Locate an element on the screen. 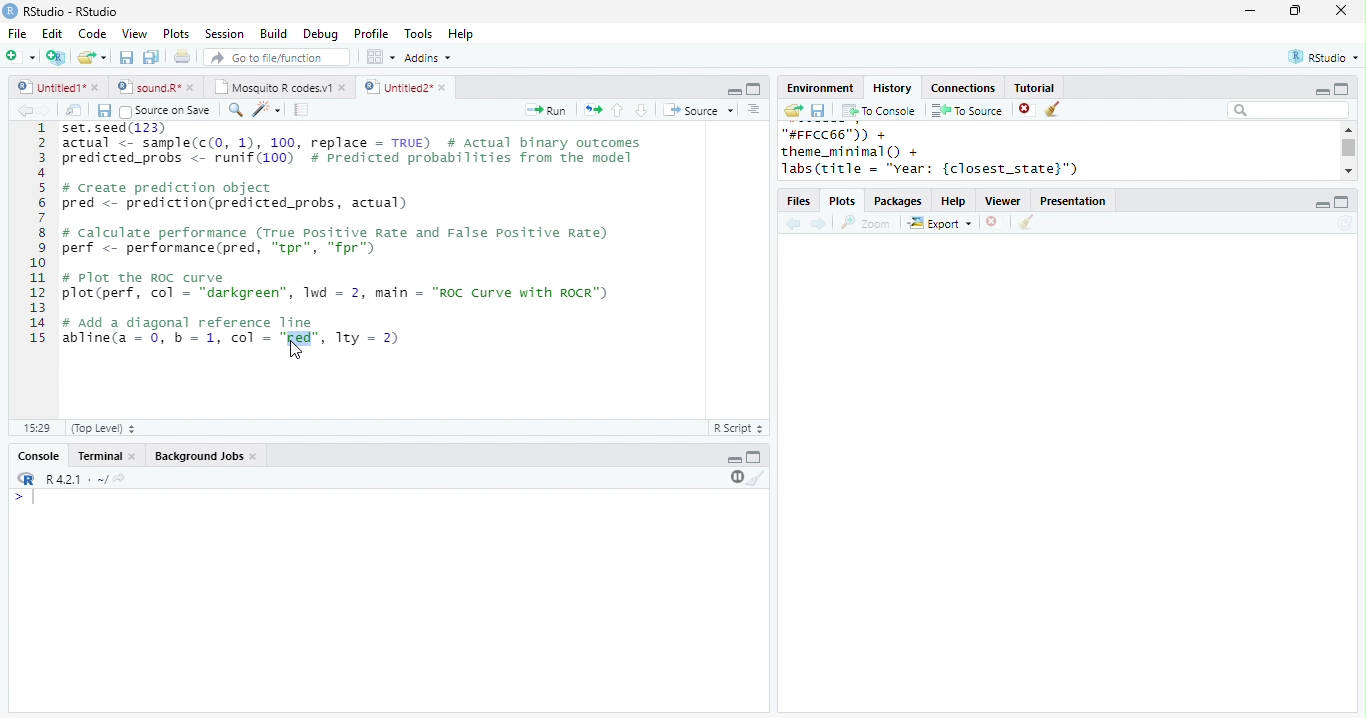 This screenshot has width=1366, height=718. Tutorial is located at coordinates (1033, 87).